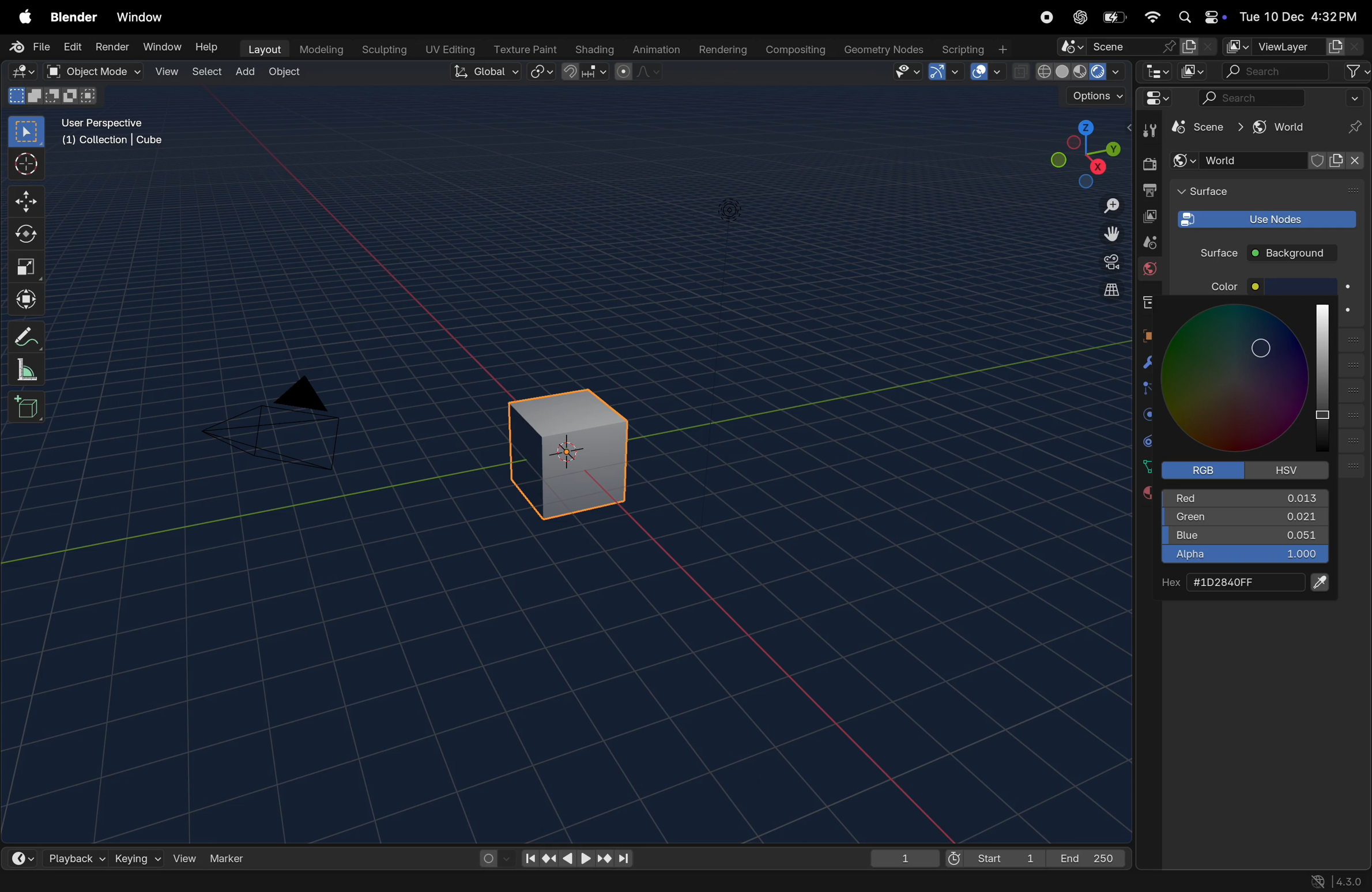 The width and height of the screenshot is (1372, 892). Describe the element at coordinates (1113, 18) in the screenshot. I see `battery` at that location.